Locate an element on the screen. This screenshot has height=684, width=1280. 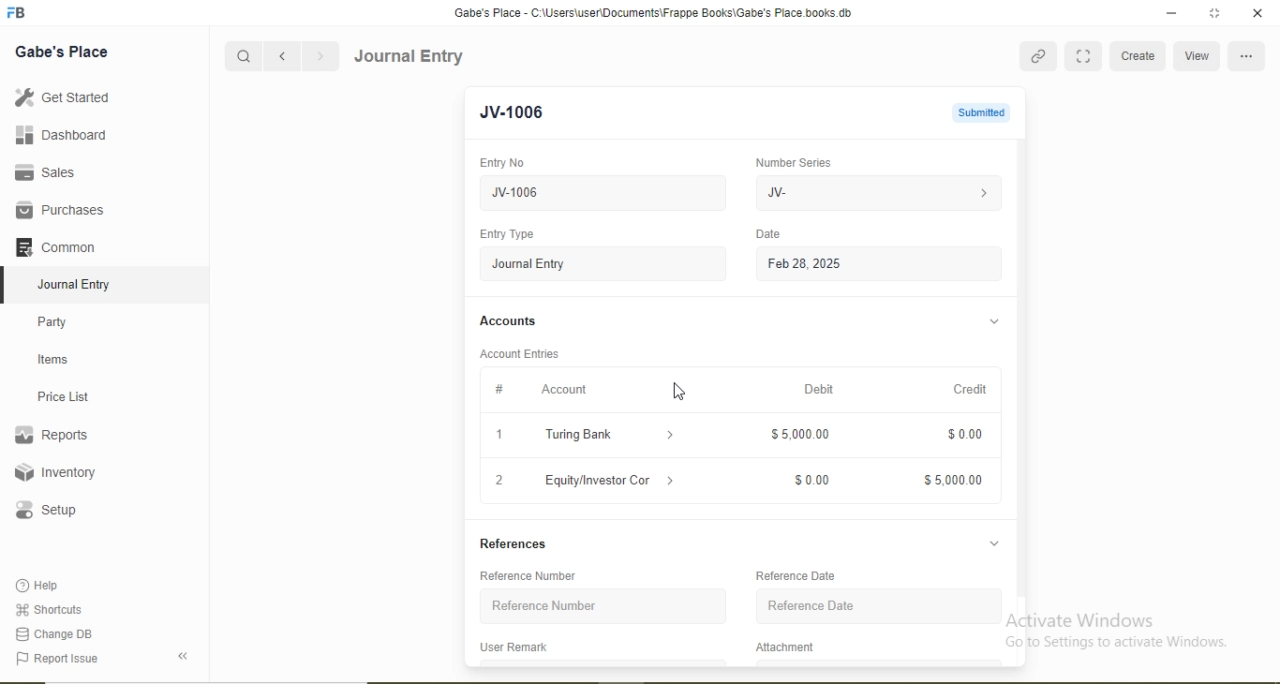
Get Started is located at coordinates (61, 96).